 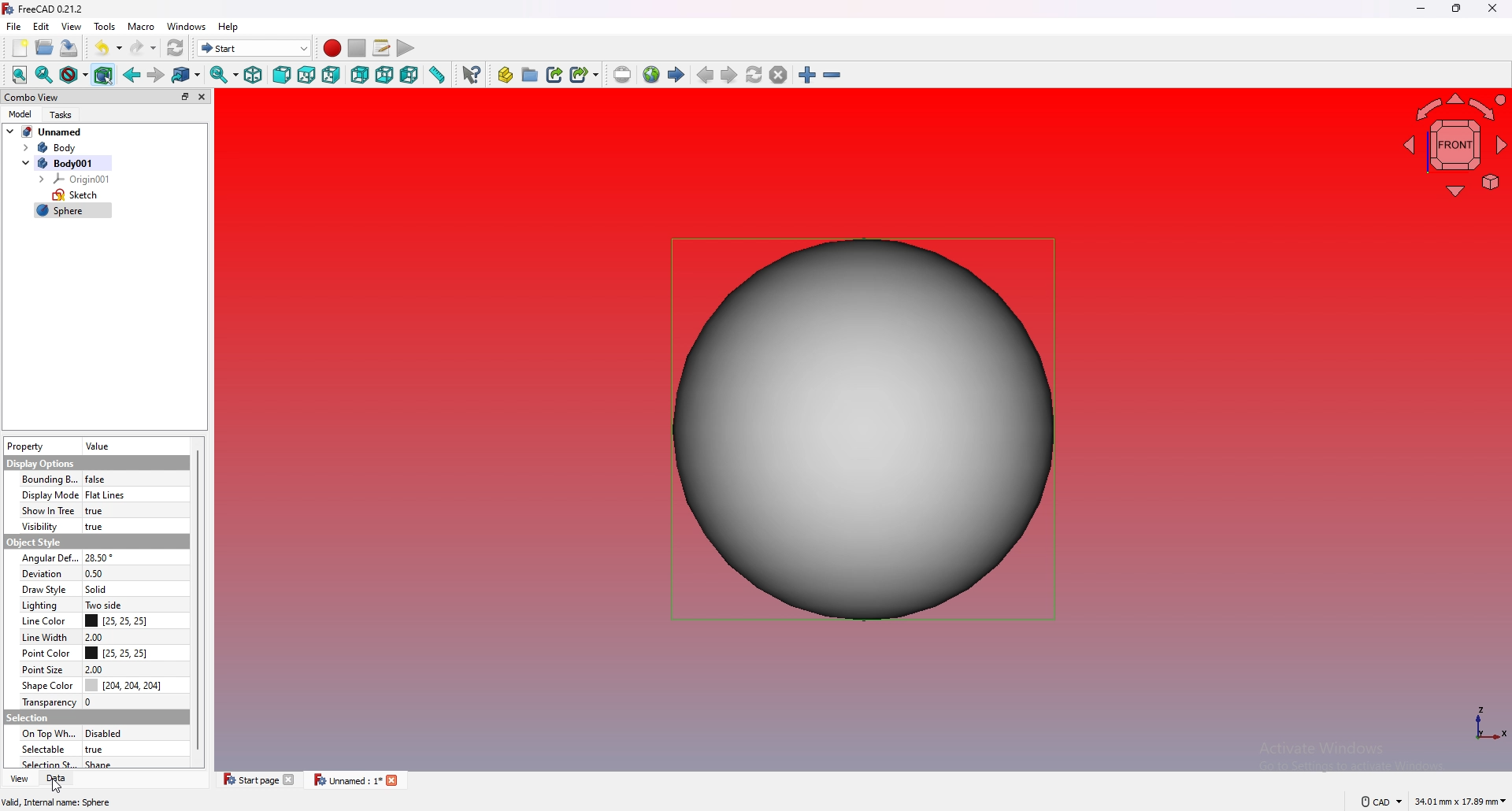 I want to click on help, so click(x=229, y=27).